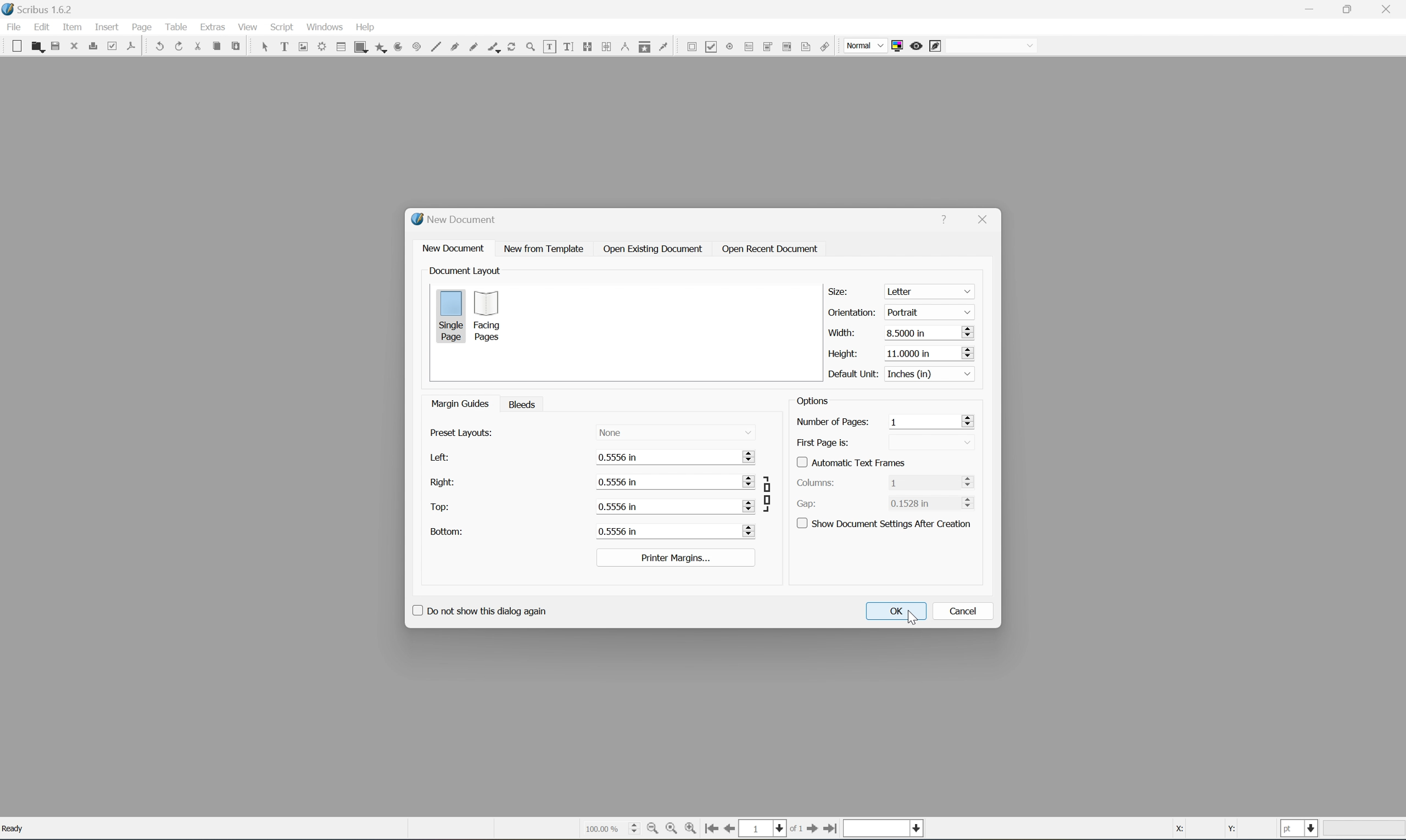  What do you see at coordinates (454, 218) in the screenshot?
I see `new document` at bounding box center [454, 218].